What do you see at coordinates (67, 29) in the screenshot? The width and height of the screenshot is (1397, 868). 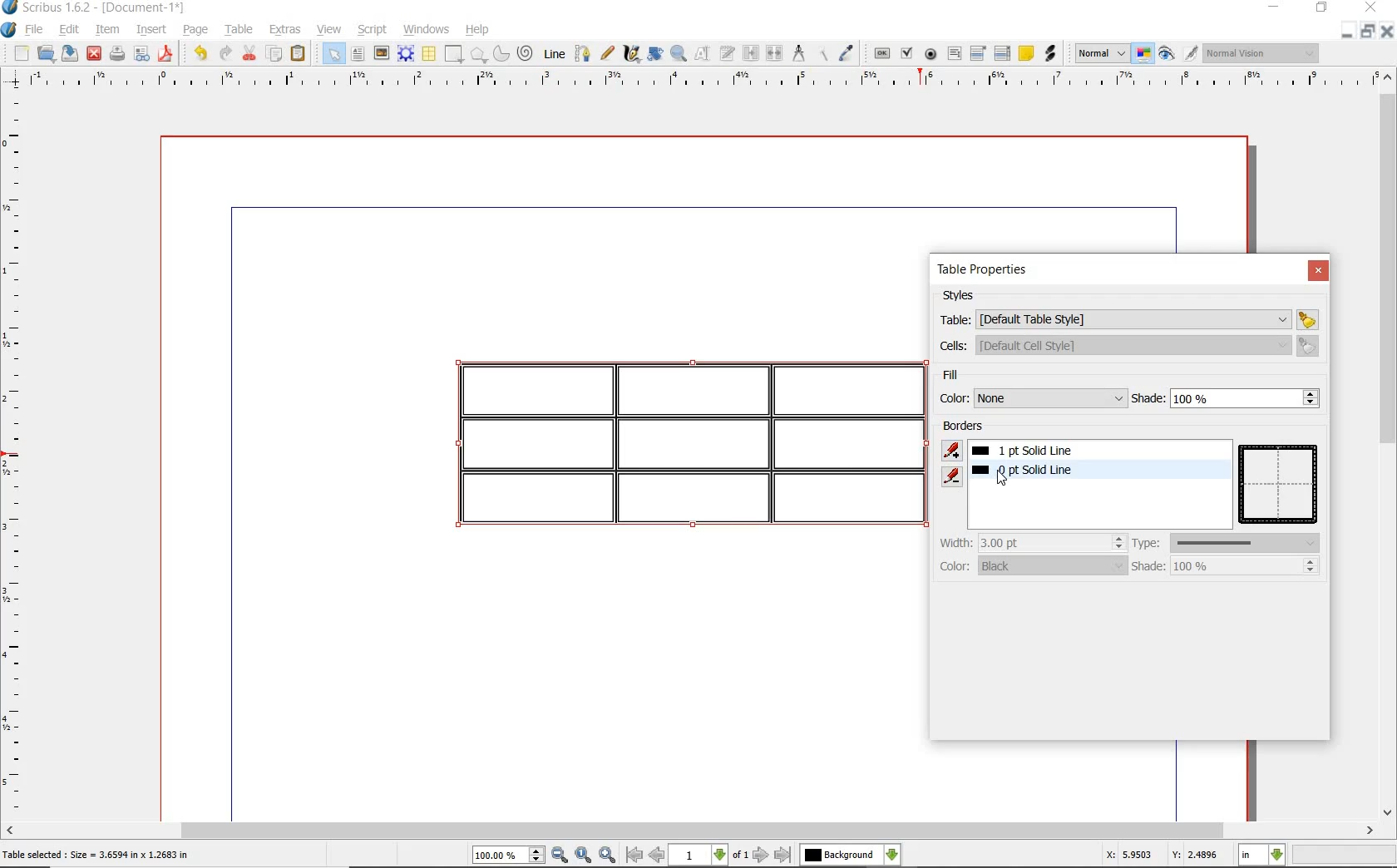 I see `edit` at bounding box center [67, 29].